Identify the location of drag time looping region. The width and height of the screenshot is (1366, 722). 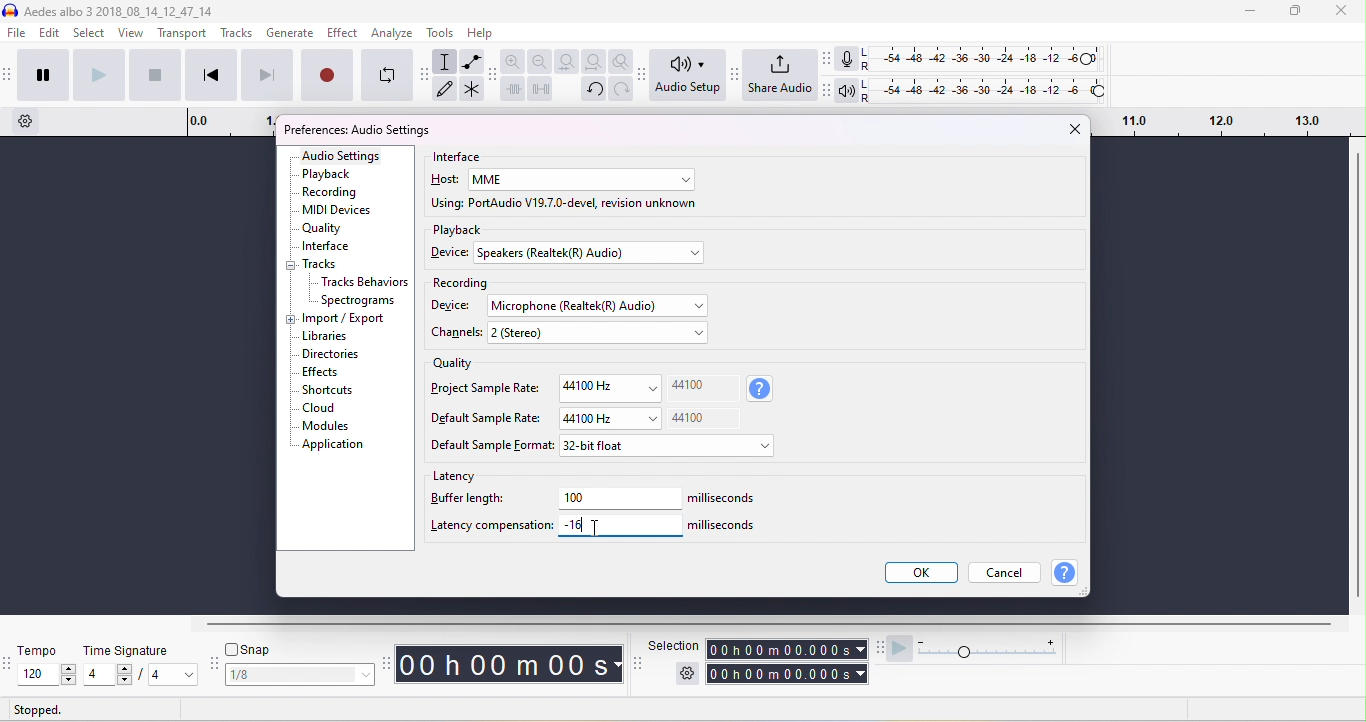
(1224, 123).